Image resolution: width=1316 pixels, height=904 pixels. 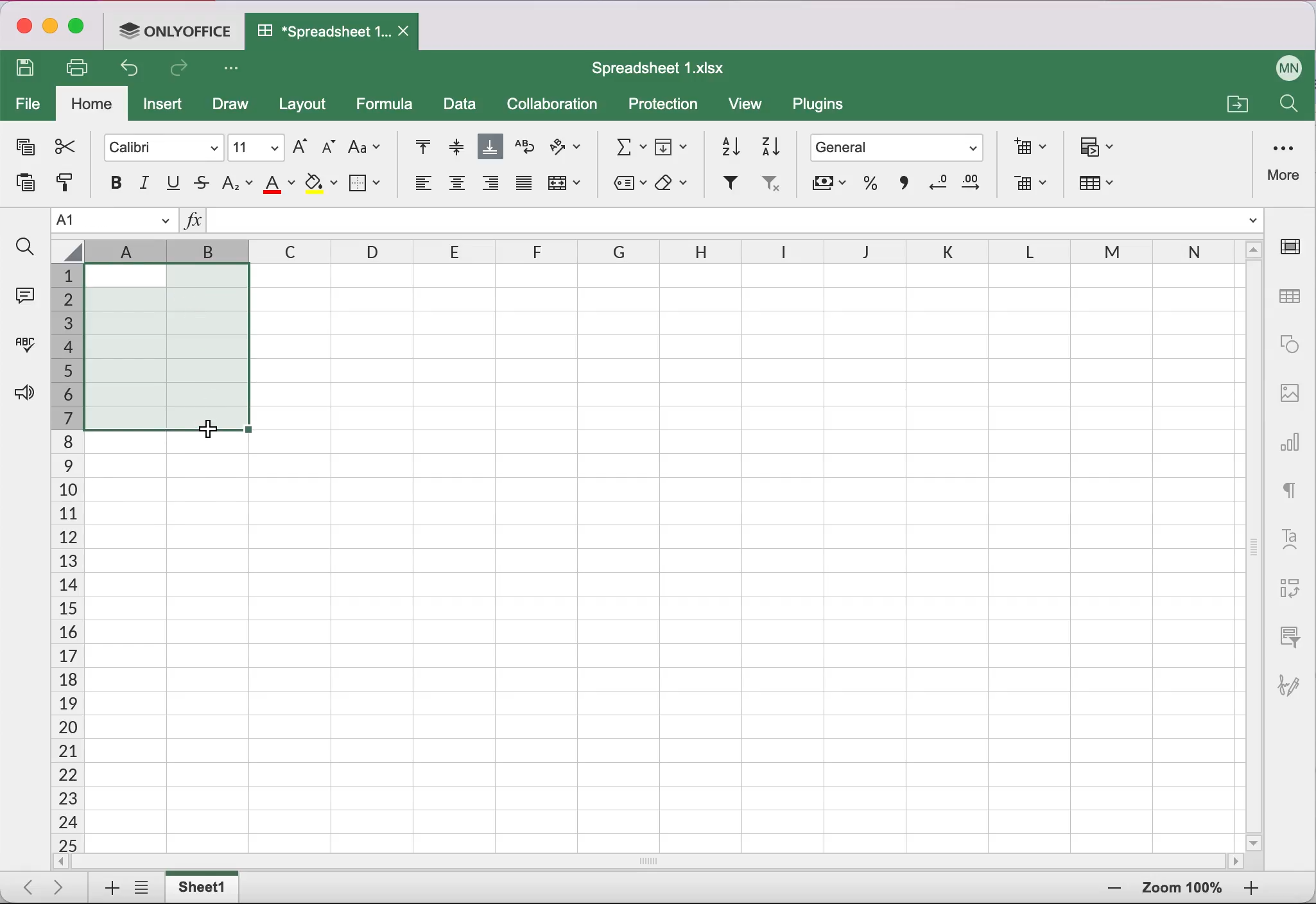 What do you see at coordinates (1295, 247) in the screenshot?
I see `cell settings` at bounding box center [1295, 247].